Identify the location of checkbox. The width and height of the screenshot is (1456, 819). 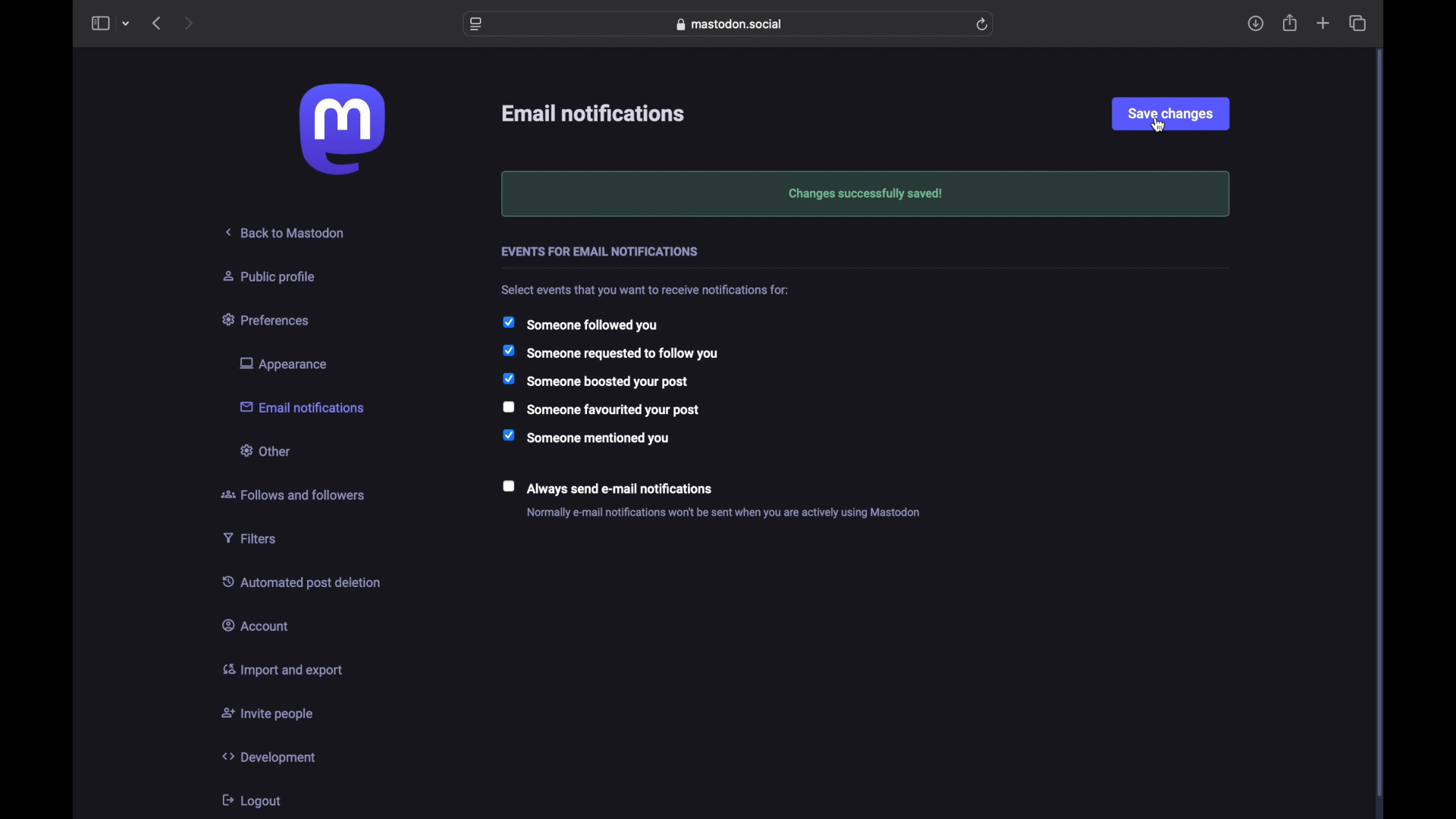
(590, 439).